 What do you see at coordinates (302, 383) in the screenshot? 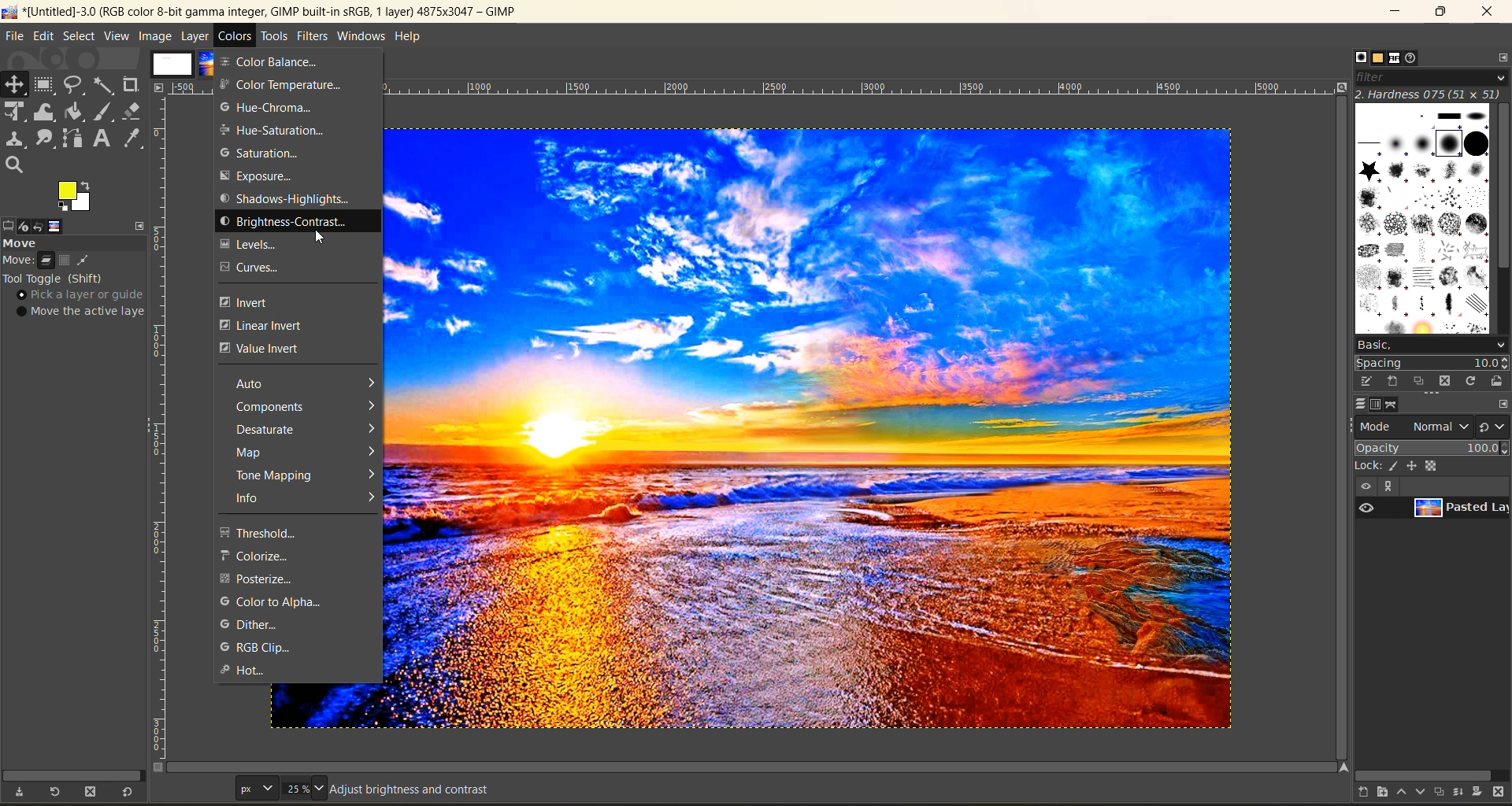
I see `auto` at bounding box center [302, 383].